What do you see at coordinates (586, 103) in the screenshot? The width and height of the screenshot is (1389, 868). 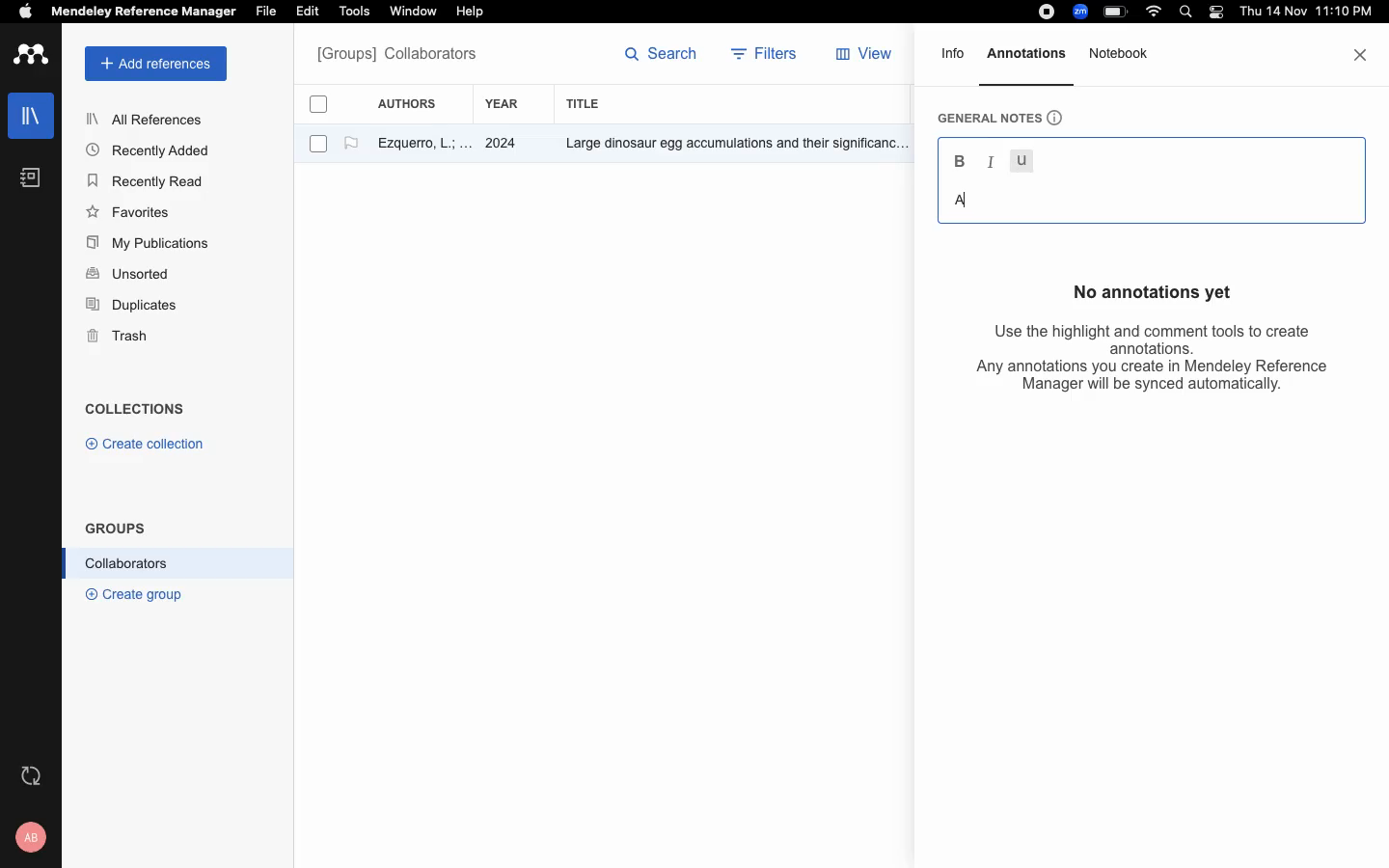 I see `title` at bounding box center [586, 103].